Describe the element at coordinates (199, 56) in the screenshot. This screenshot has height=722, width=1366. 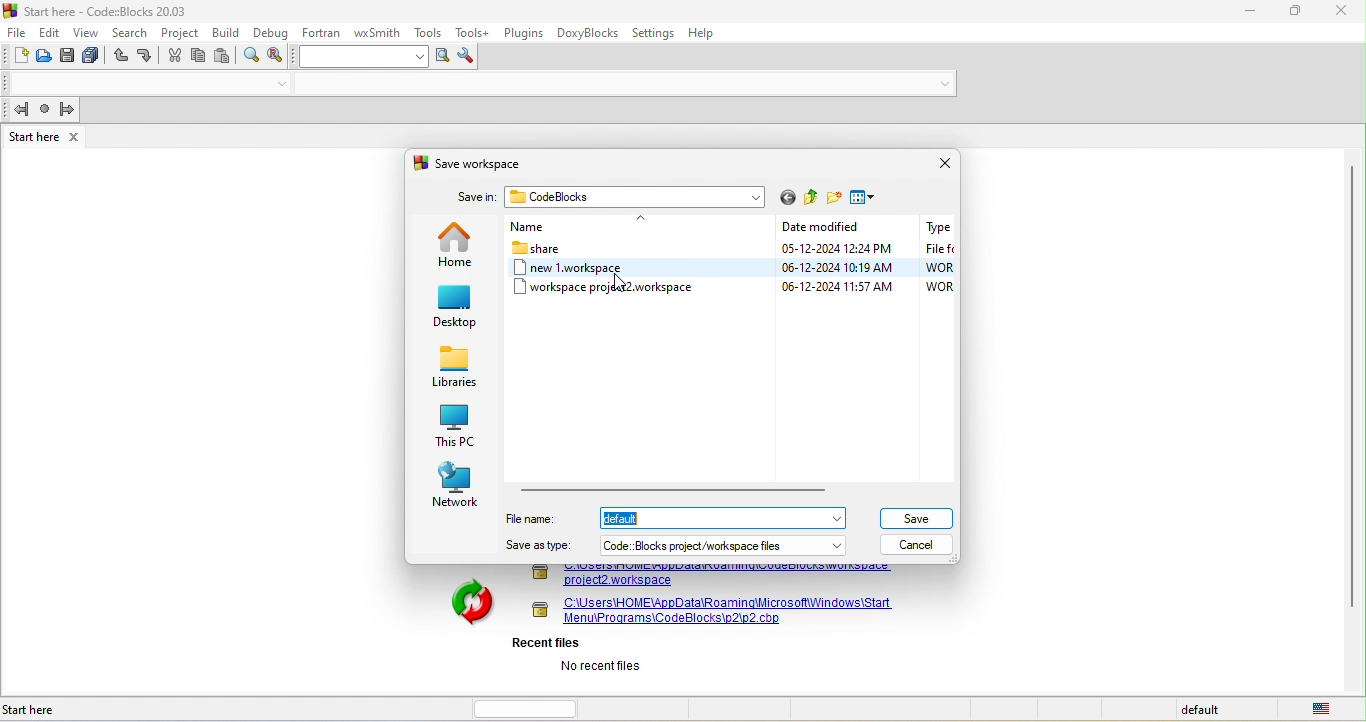
I see `copy` at that location.